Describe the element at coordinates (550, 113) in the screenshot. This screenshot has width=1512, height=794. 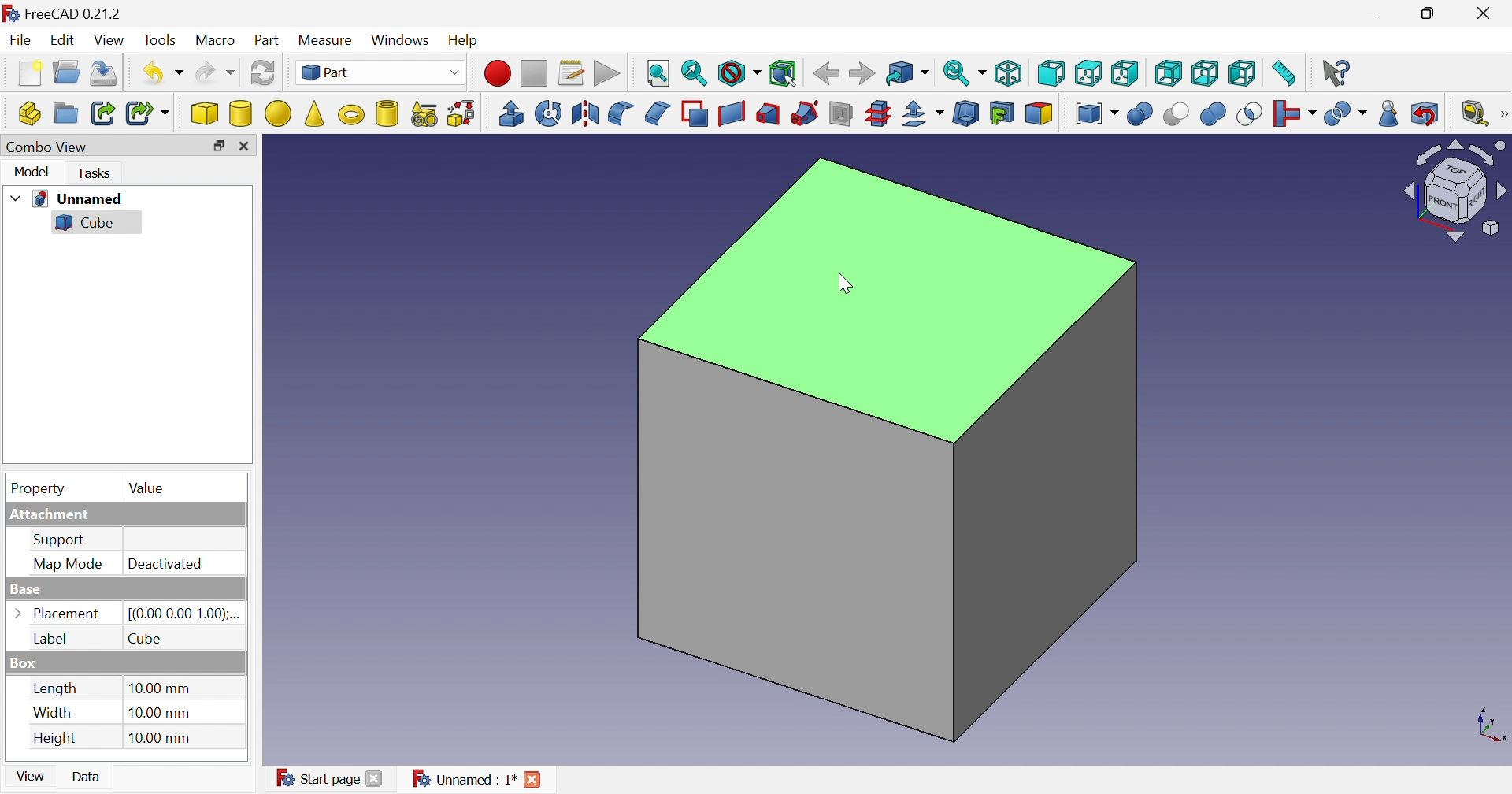
I see `Revolve` at that location.